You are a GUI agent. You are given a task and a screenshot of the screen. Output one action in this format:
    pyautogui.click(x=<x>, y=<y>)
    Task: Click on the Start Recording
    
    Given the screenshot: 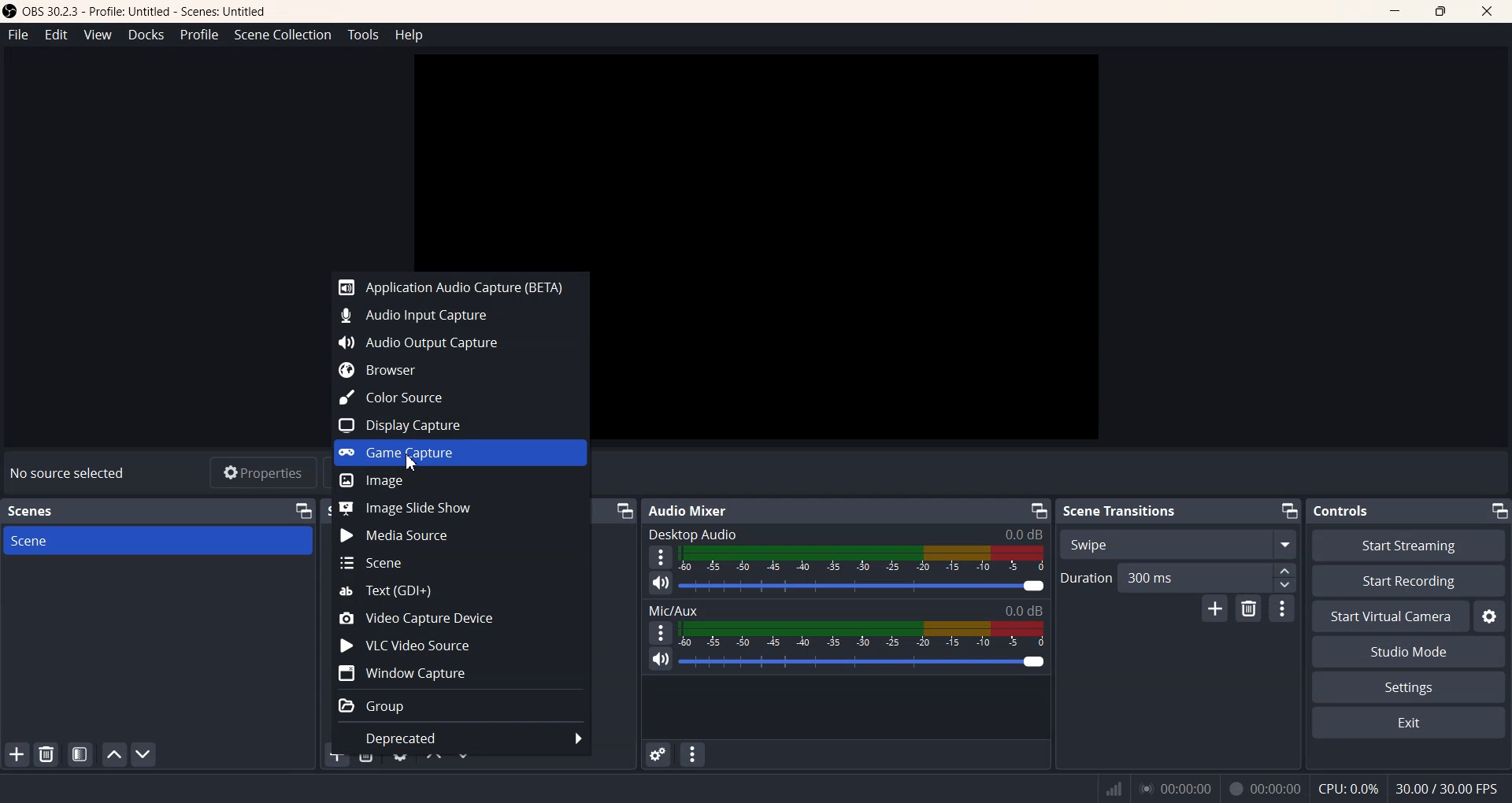 What is the action you would take?
    pyautogui.click(x=1408, y=580)
    